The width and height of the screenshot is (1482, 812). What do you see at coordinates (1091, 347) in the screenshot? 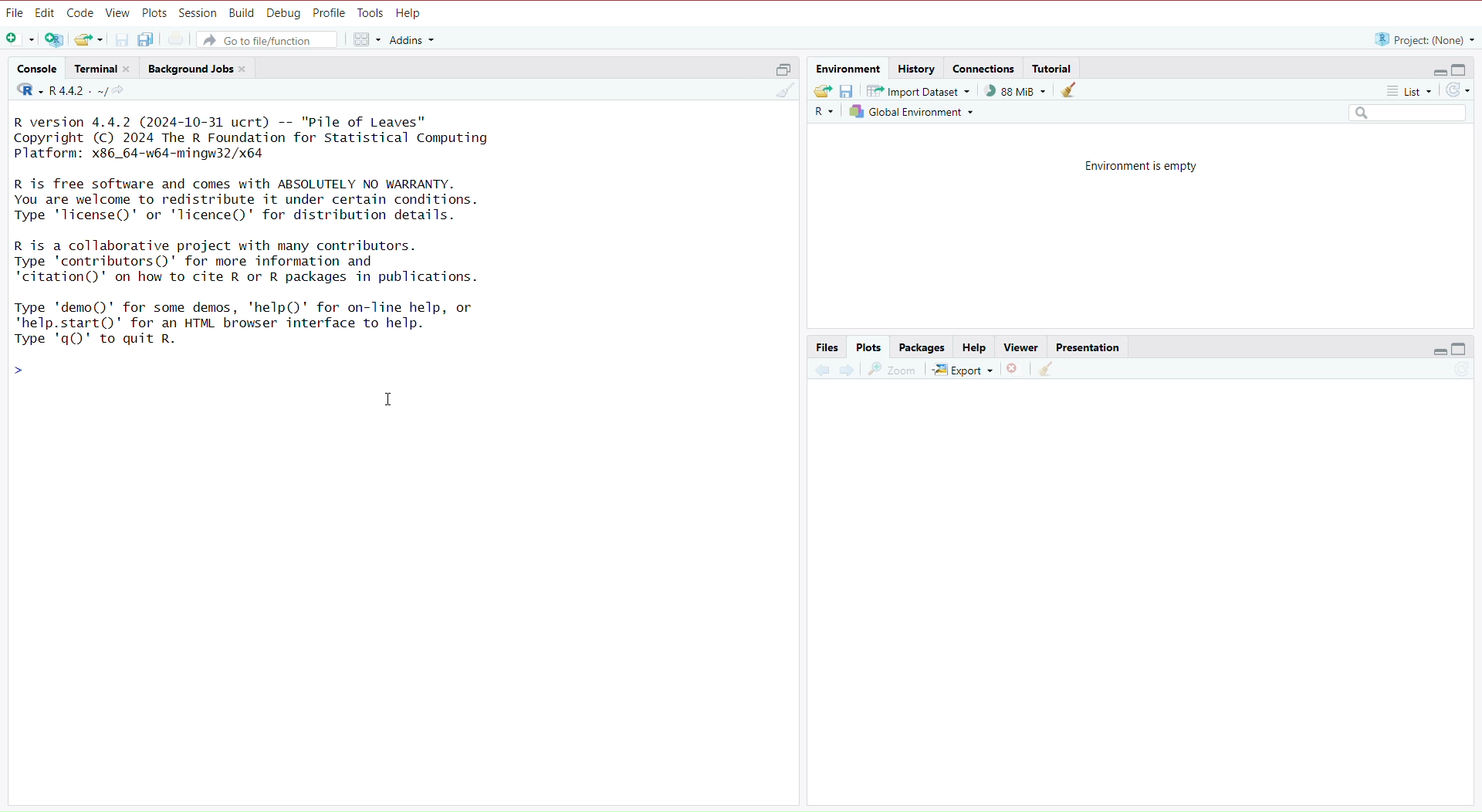
I see `presentation` at bounding box center [1091, 347].